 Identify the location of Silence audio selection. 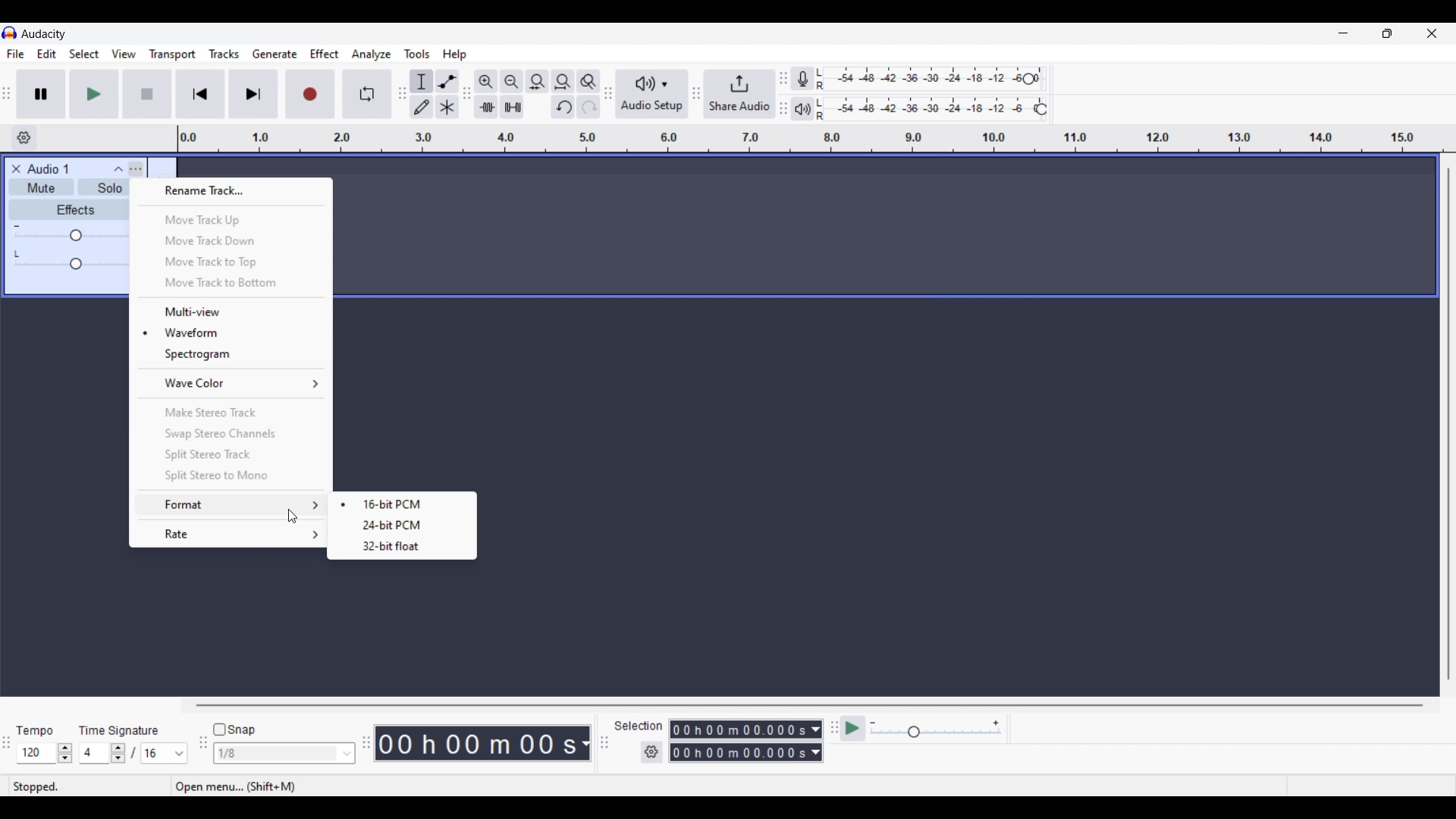
(512, 107).